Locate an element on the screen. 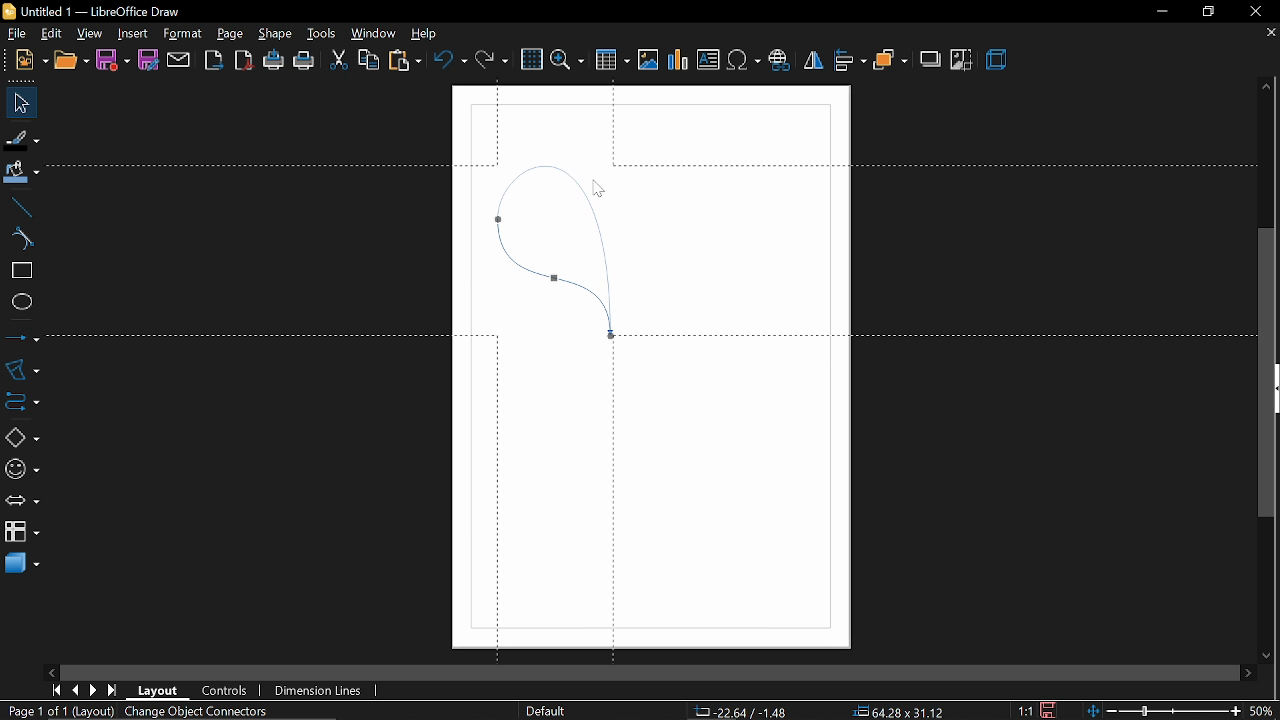 This screenshot has width=1280, height=720. Page 1 of 1 is located at coordinates (38, 711).